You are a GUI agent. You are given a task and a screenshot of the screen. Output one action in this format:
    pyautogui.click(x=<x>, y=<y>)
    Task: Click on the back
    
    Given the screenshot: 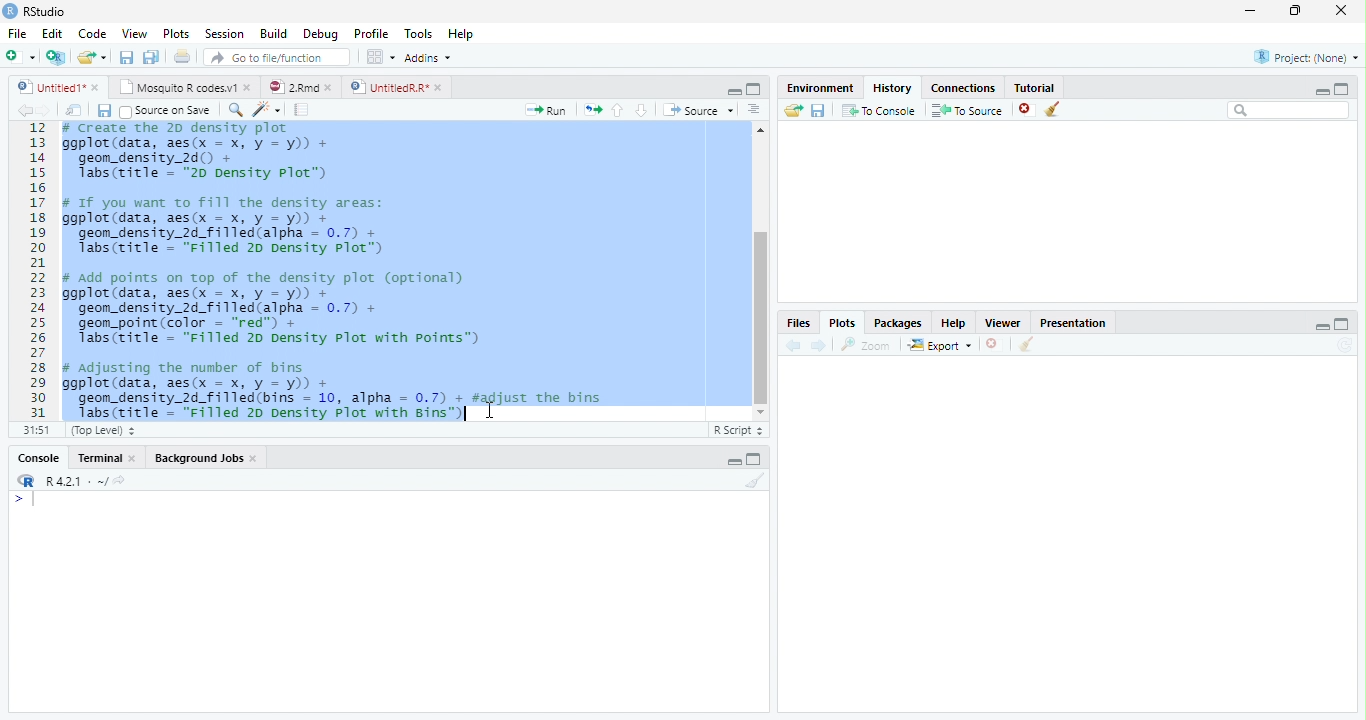 What is the action you would take?
    pyautogui.click(x=20, y=110)
    